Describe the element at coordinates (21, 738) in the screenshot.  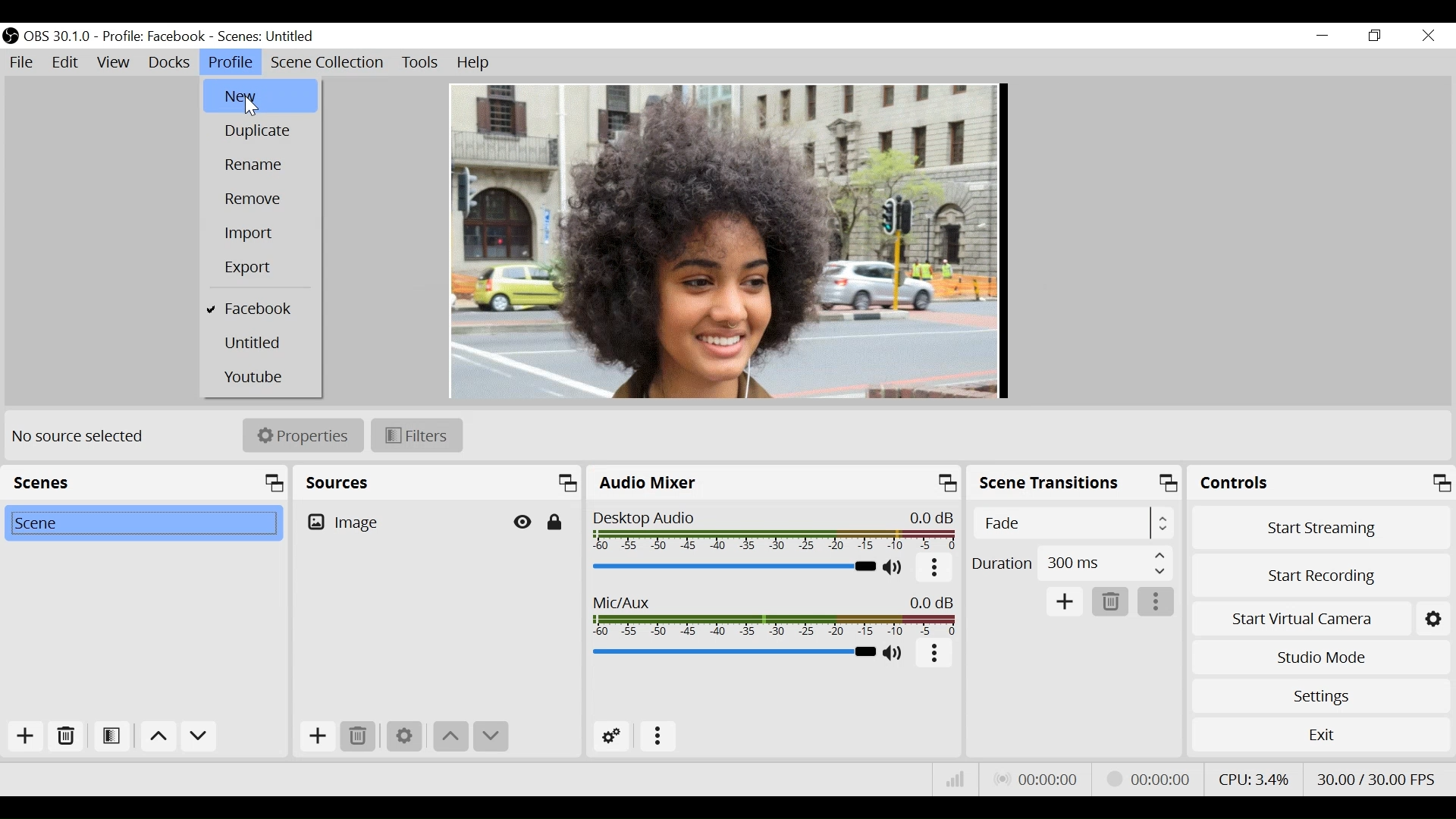
I see `Add` at that location.